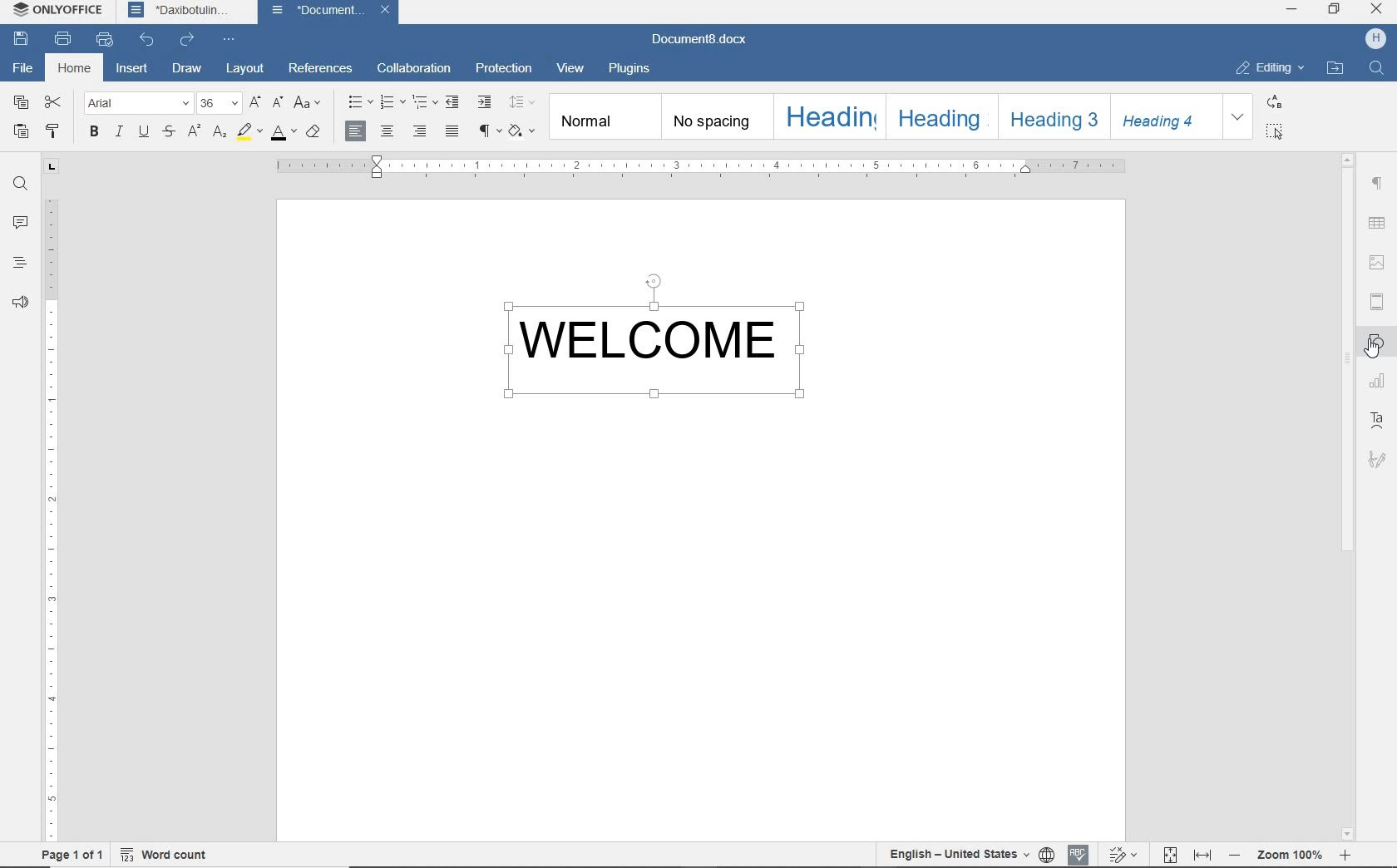 Image resolution: width=1397 pixels, height=868 pixels. Describe the element at coordinates (321, 67) in the screenshot. I see `REFERENCES` at that location.